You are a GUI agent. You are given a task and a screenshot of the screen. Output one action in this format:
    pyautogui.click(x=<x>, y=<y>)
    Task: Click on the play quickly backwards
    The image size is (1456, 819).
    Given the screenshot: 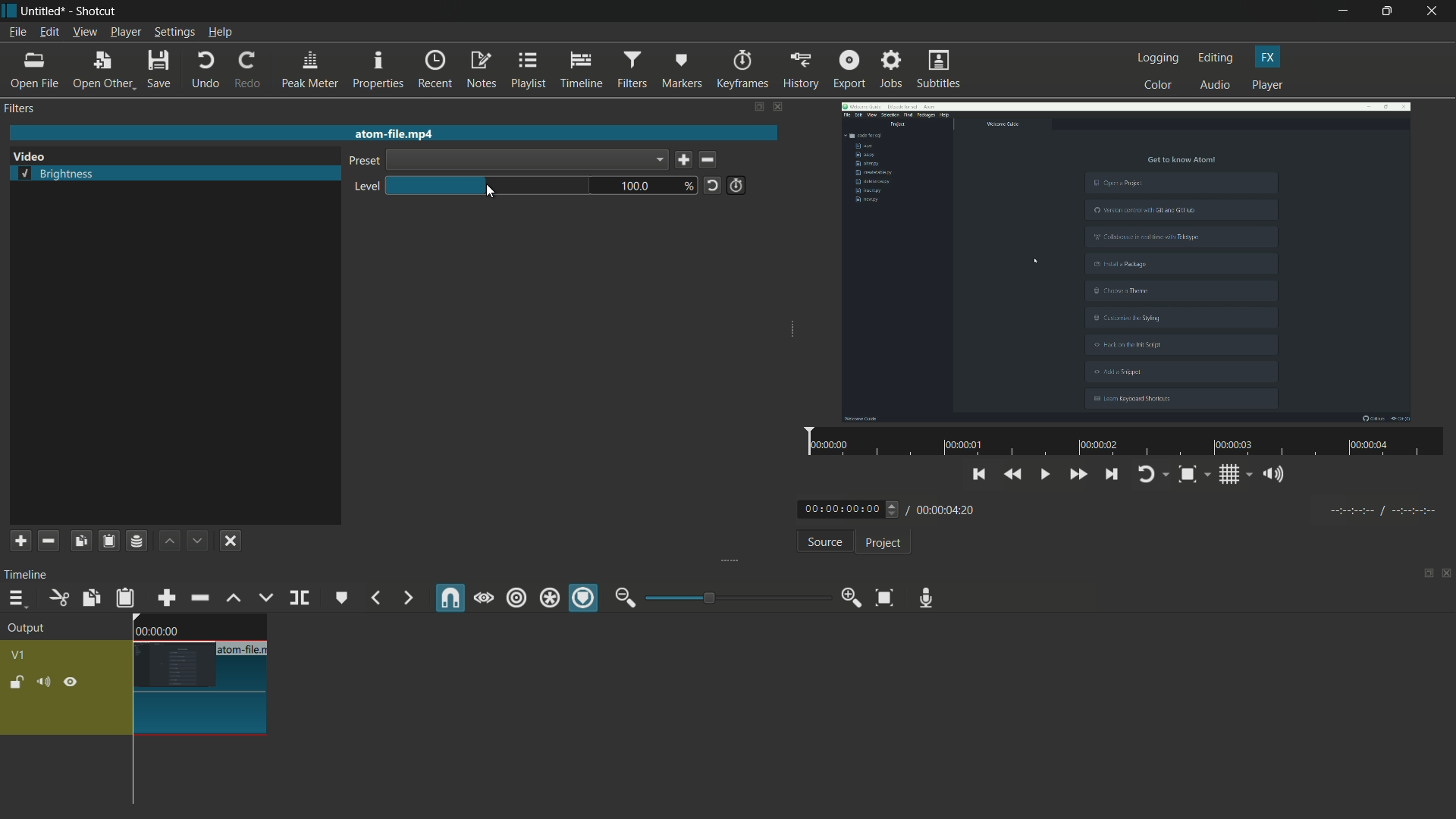 What is the action you would take?
    pyautogui.click(x=1014, y=475)
    